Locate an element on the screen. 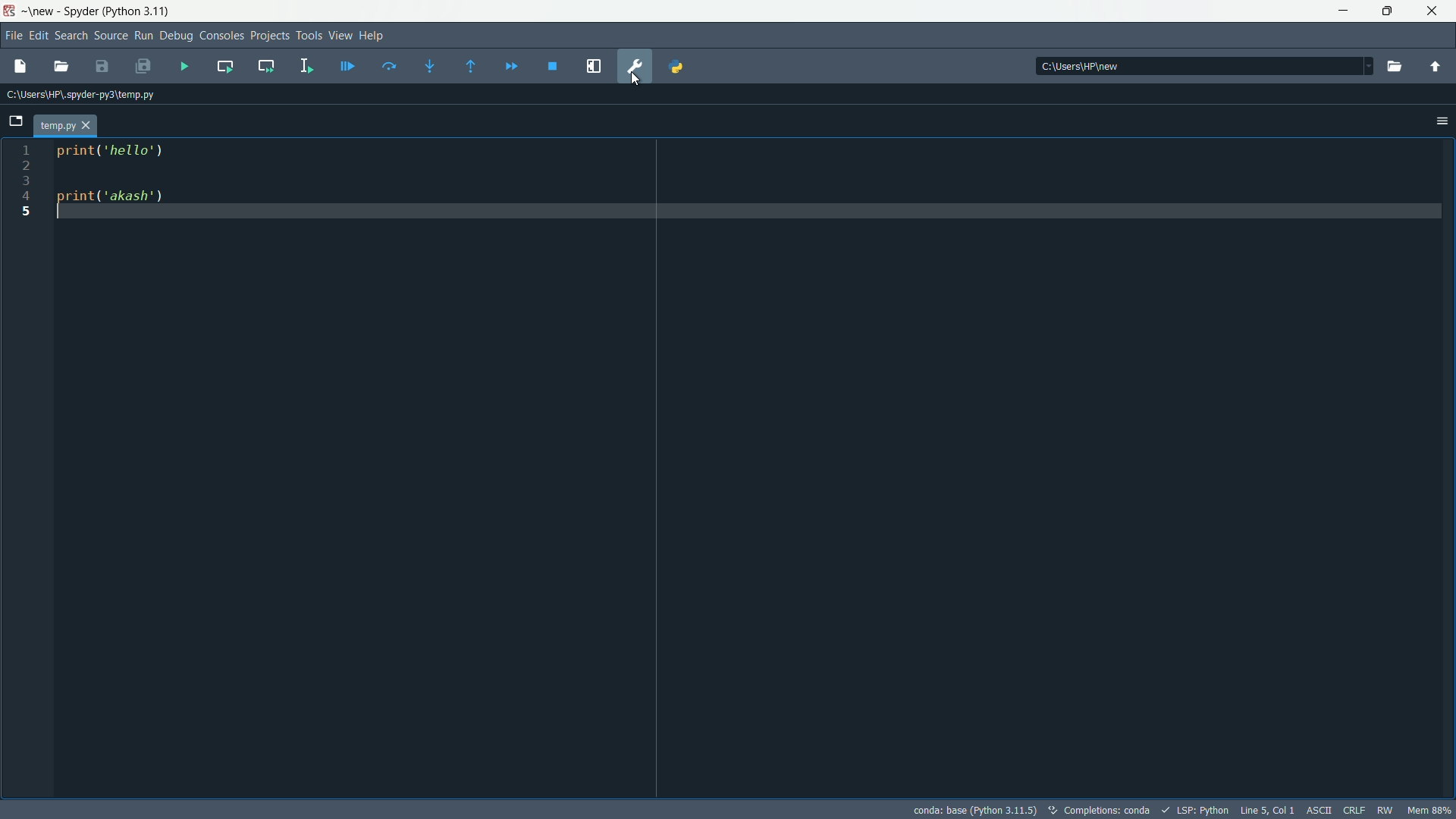 The width and height of the screenshot is (1456, 819). file menu is located at coordinates (13, 35).